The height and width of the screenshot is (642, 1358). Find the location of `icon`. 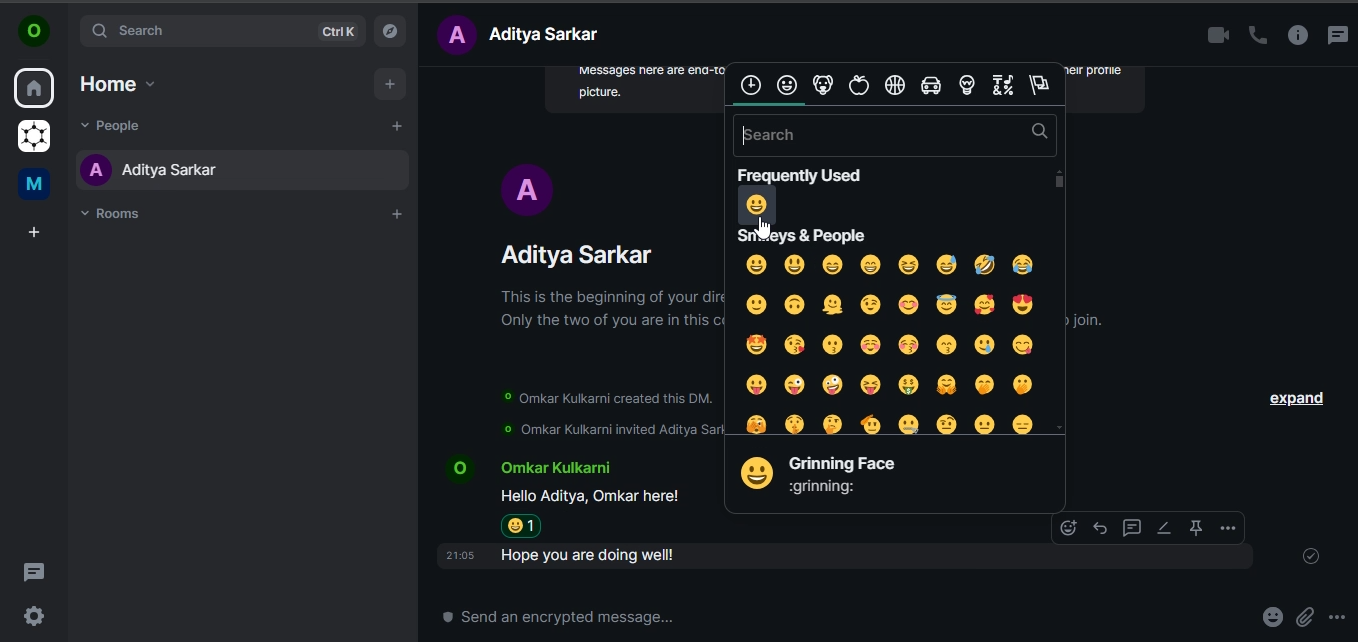

icon is located at coordinates (34, 32).